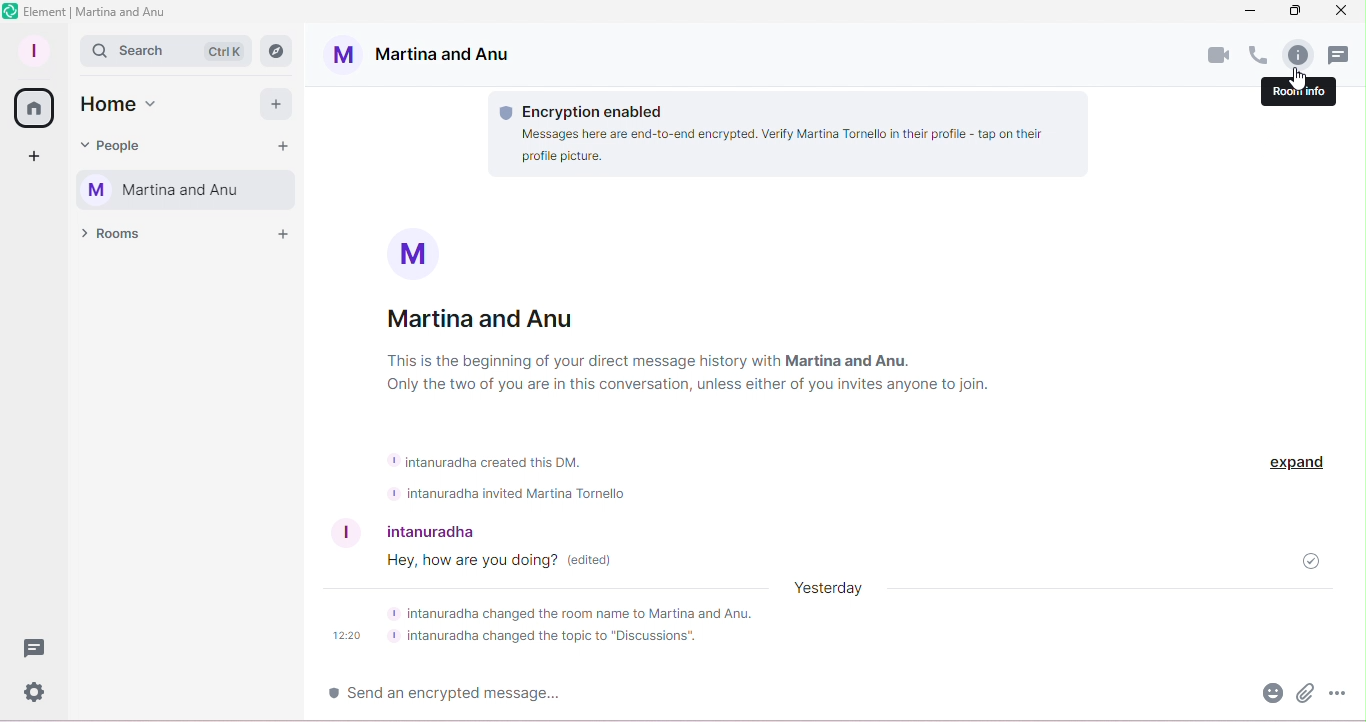  I want to click on Minimize, so click(1251, 14).